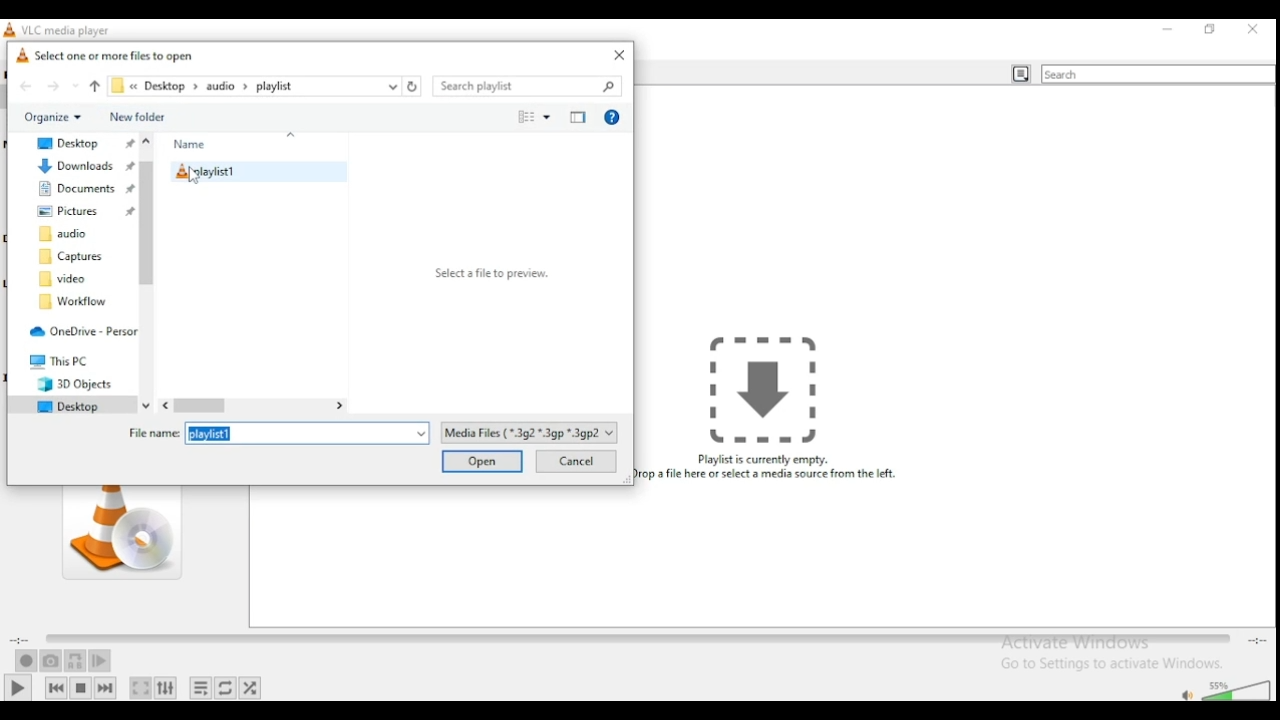  What do you see at coordinates (84, 279) in the screenshot?
I see `video` at bounding box center [84, 279].